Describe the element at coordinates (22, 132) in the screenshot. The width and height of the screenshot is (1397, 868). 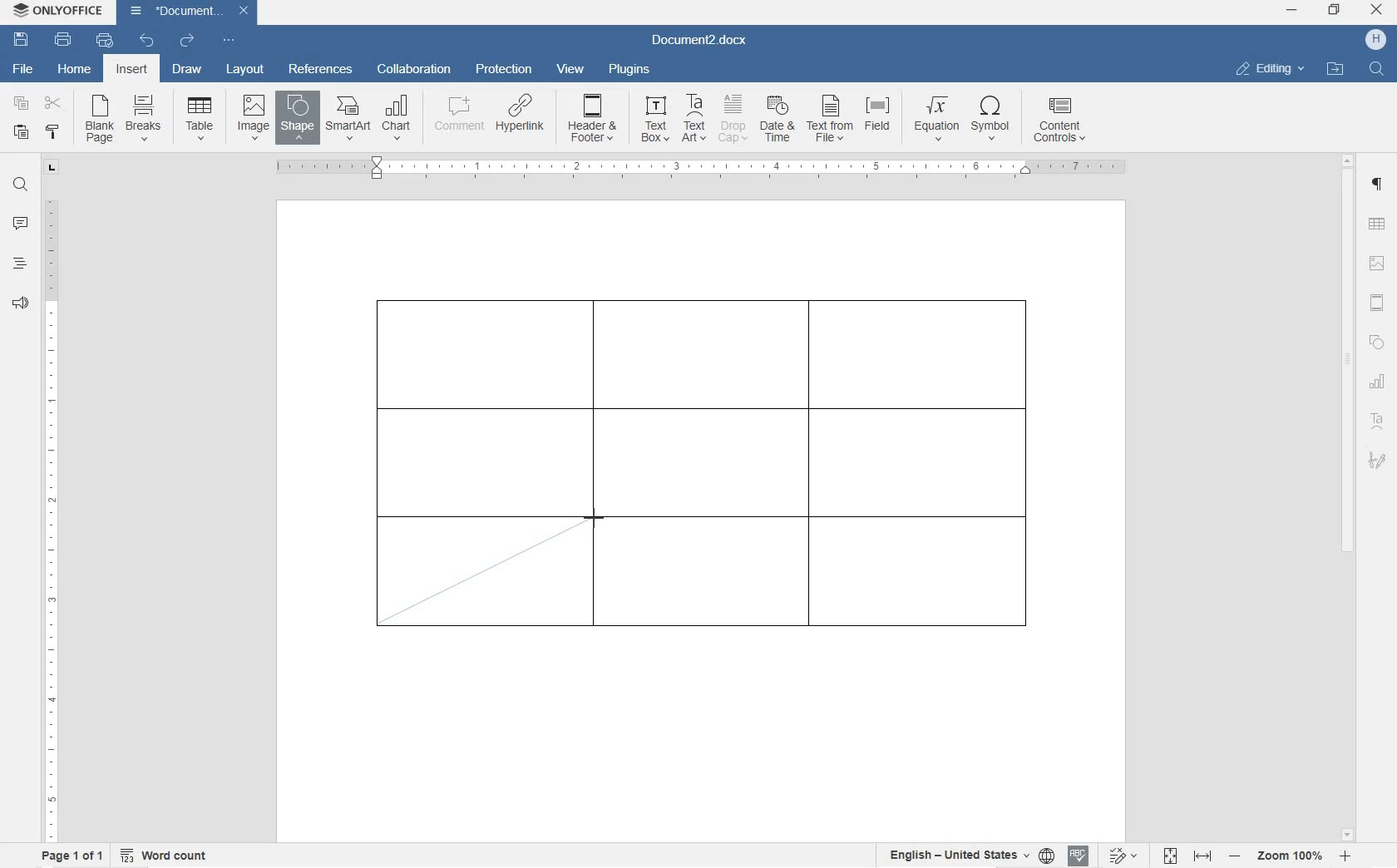
I see `paste` at that location.